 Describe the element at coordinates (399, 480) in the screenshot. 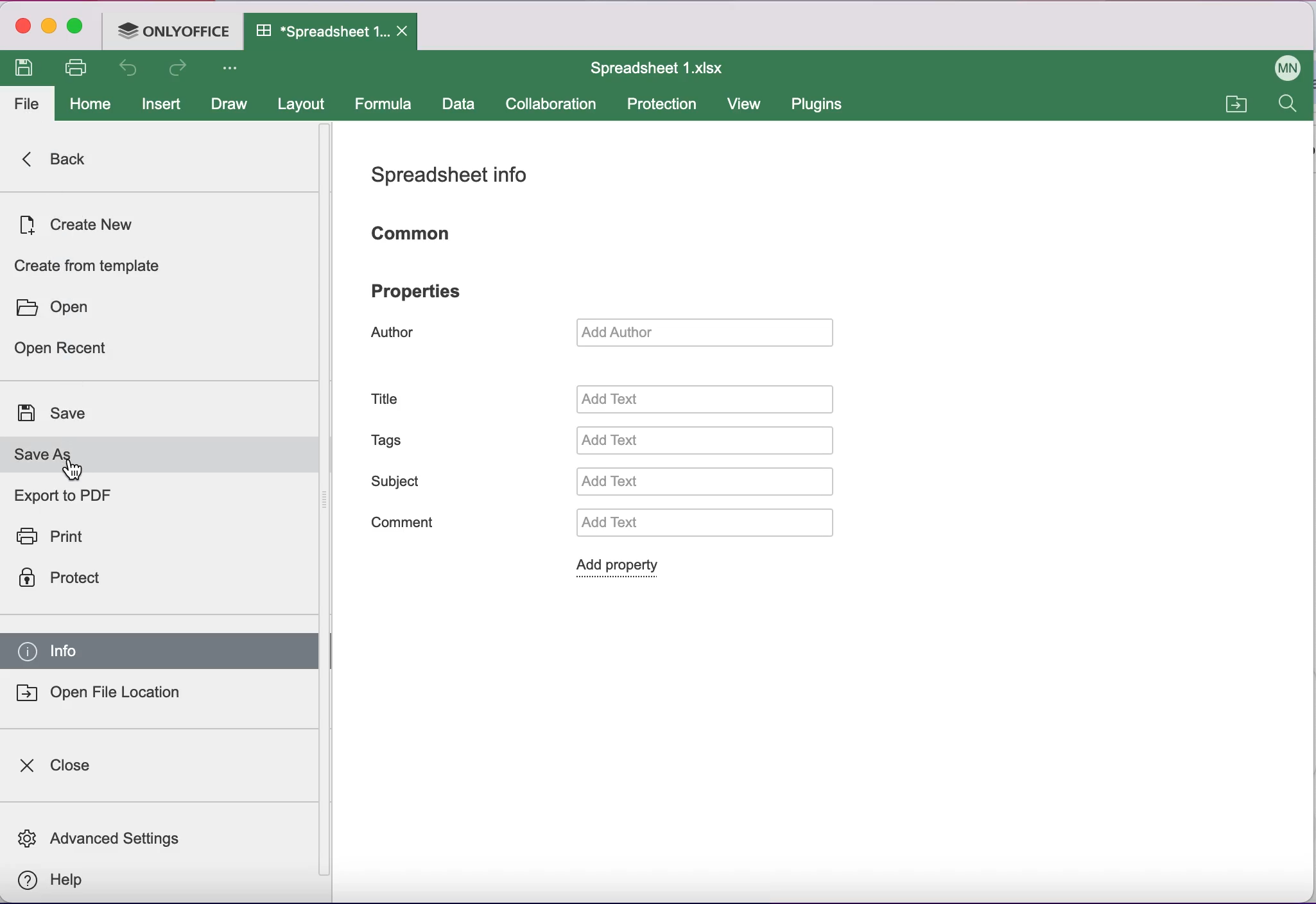

I see `subject` at that location.